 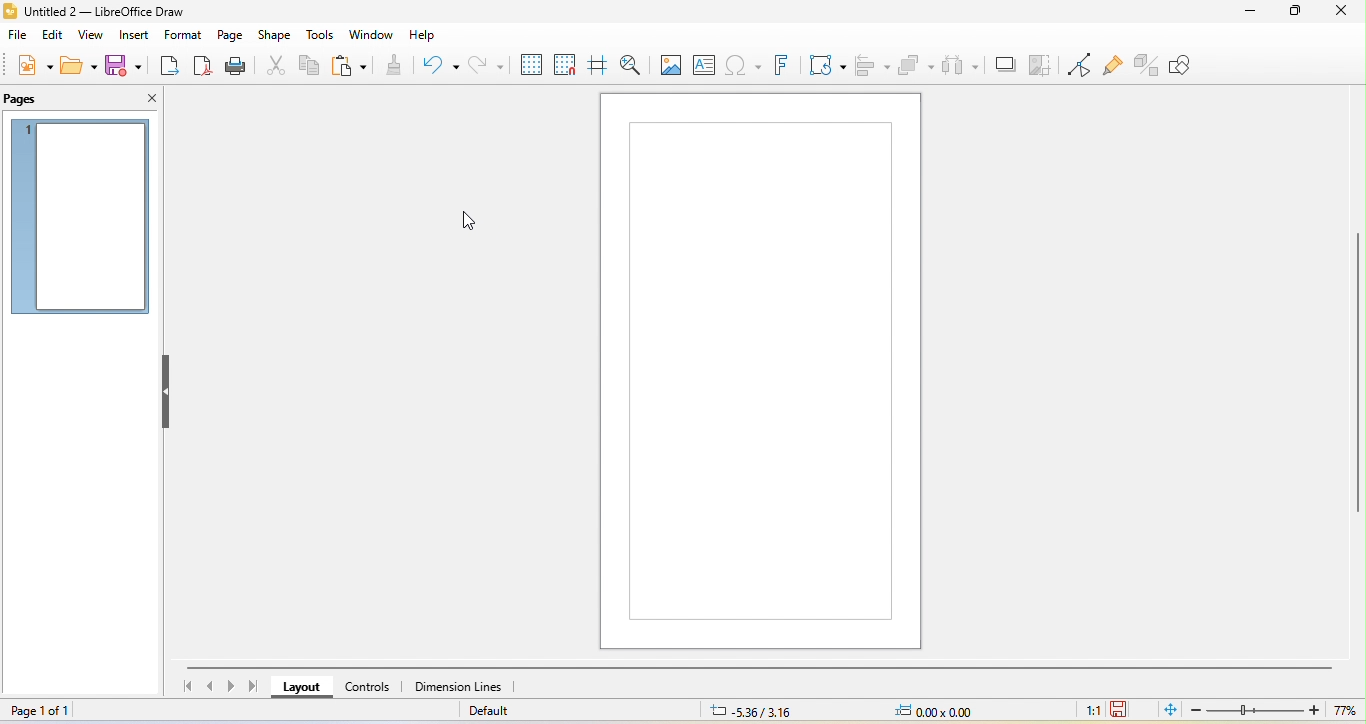 What do you see at coordinates (596, 66) in the screenshot?
I see `helpline while moving` at bounding box center [596, 66].